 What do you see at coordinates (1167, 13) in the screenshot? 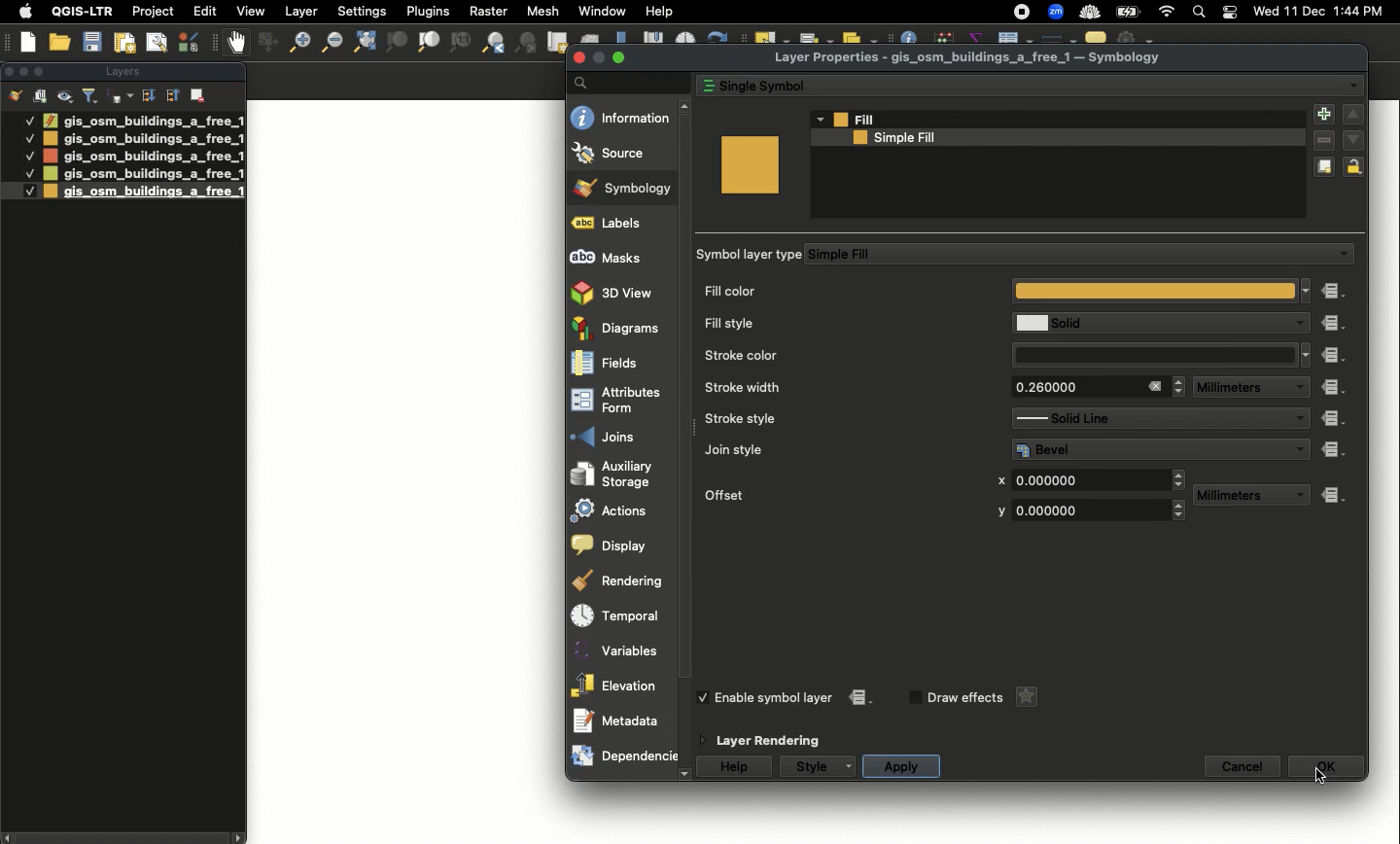
I see `Wif` at bounding box center [1167, 13].